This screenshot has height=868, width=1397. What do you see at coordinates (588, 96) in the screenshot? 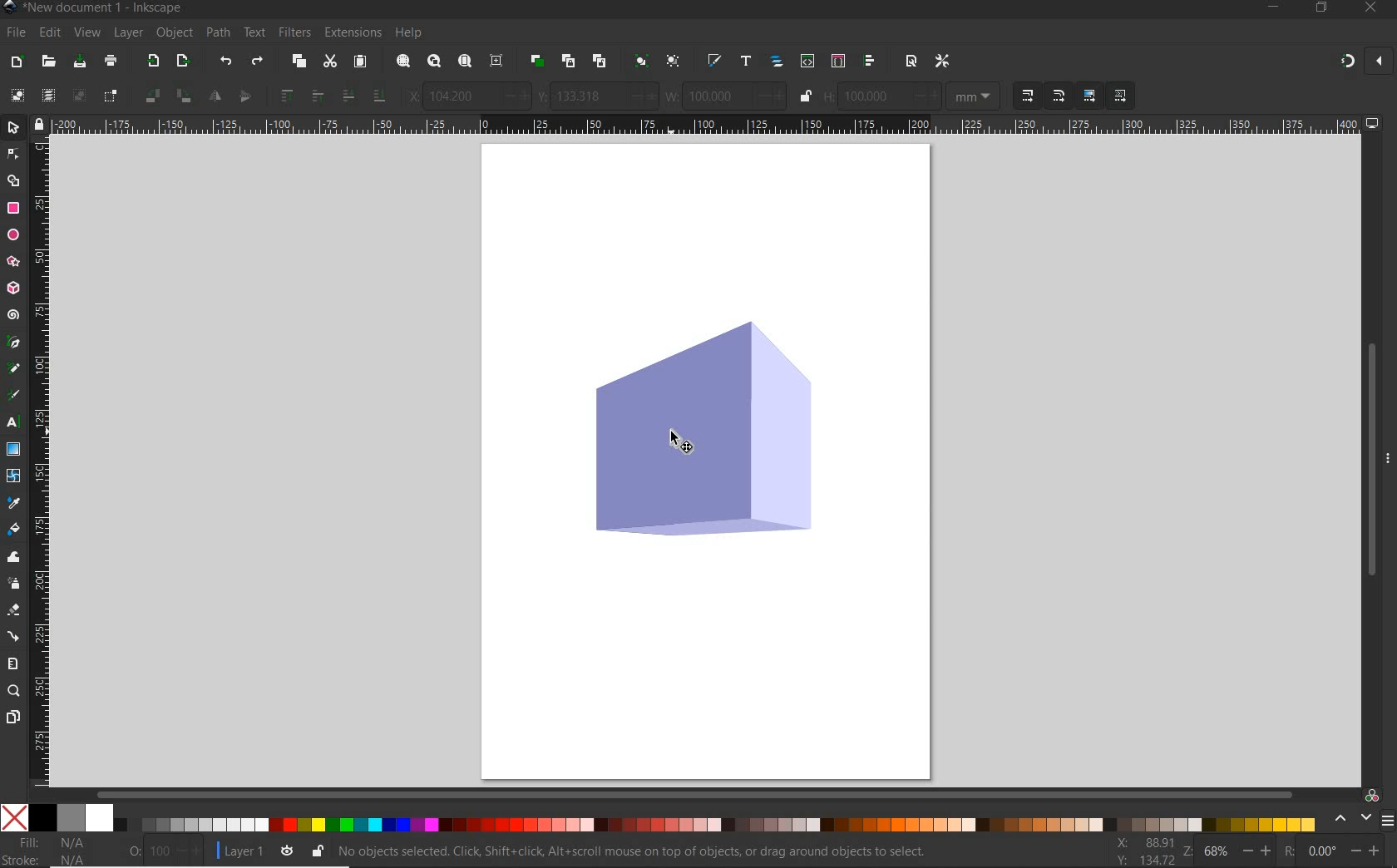
I see `133` at bounding box center [588, 96].